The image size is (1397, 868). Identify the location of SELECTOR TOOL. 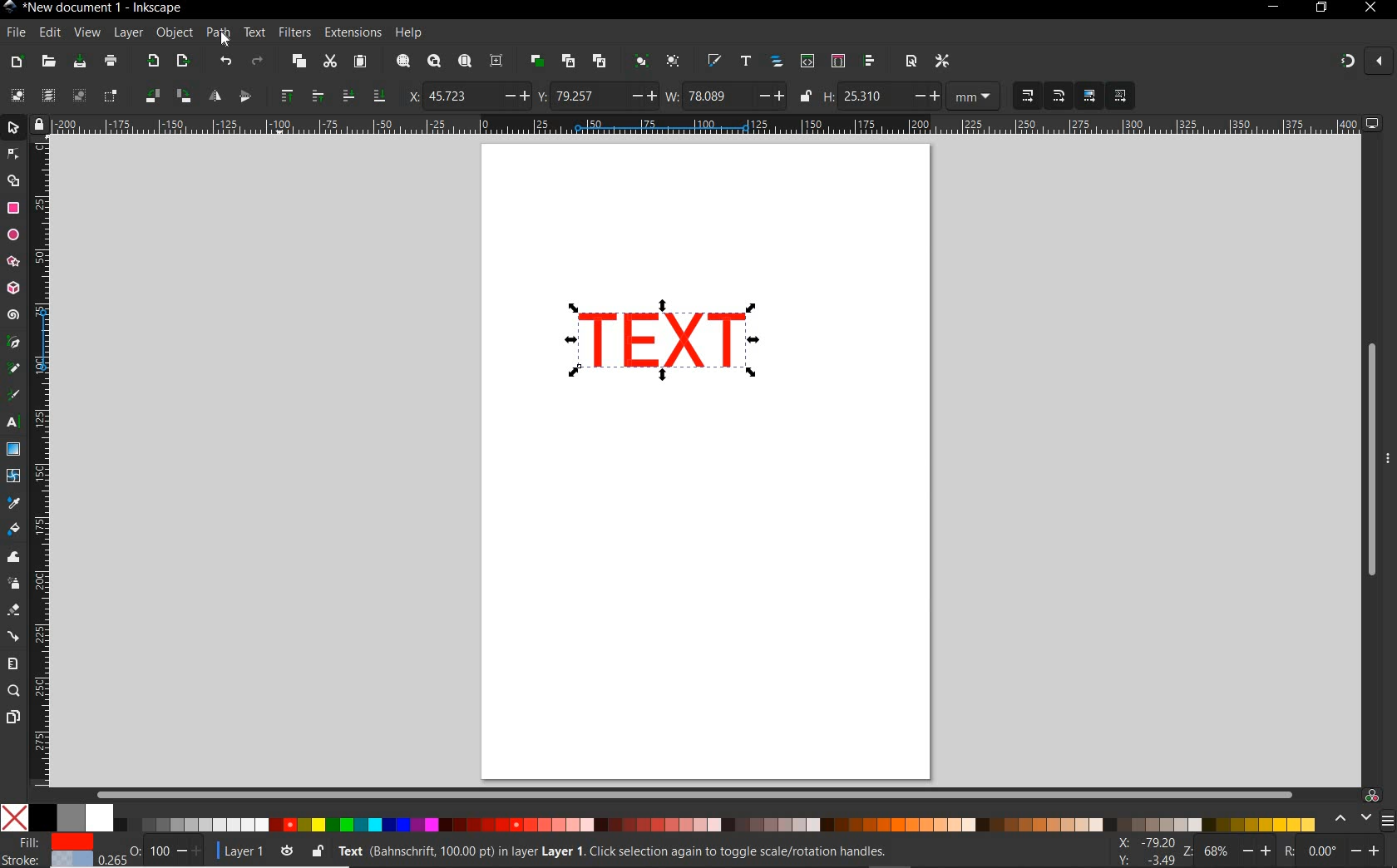
(14, 170).